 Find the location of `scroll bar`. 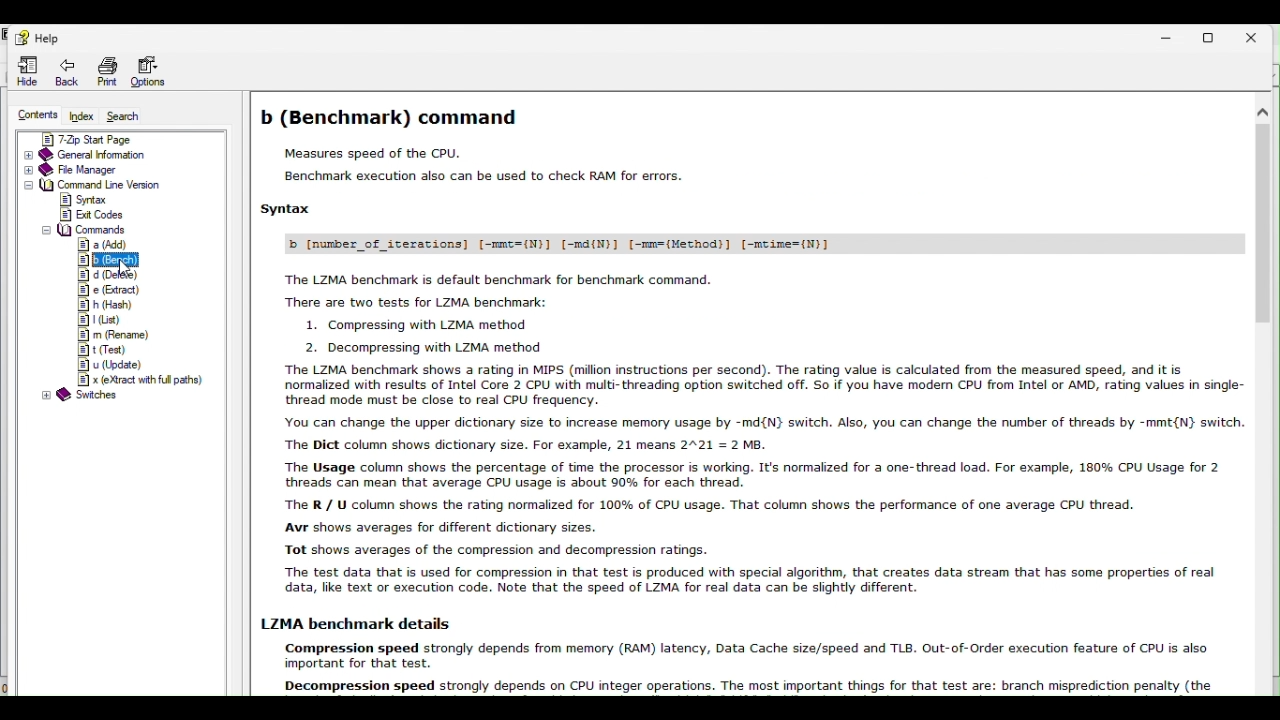

scroll bar is located at coordinates (1266, 240).